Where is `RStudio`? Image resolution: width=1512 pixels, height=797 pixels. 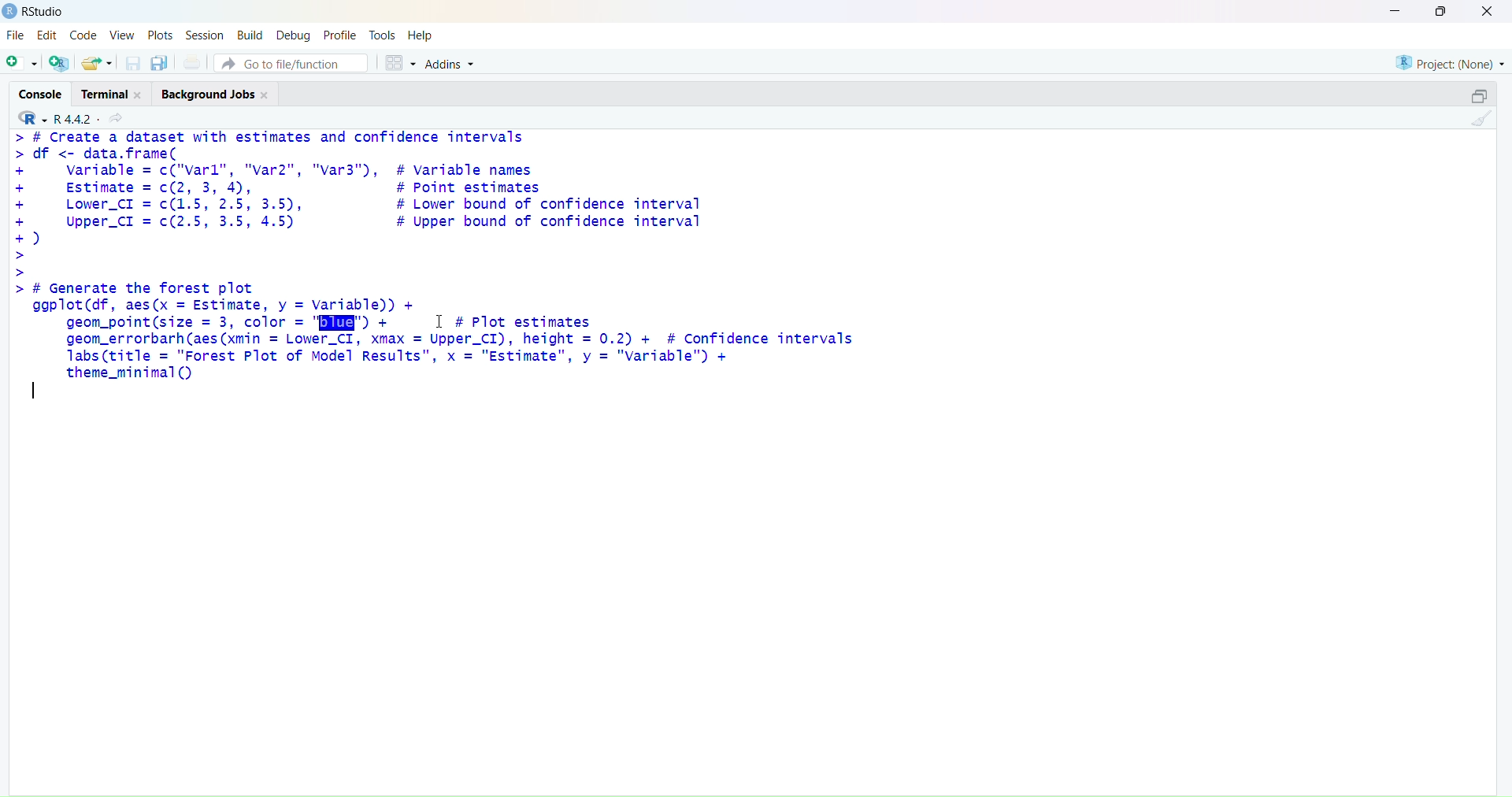 RStudio is located at coordinates (40, 12).